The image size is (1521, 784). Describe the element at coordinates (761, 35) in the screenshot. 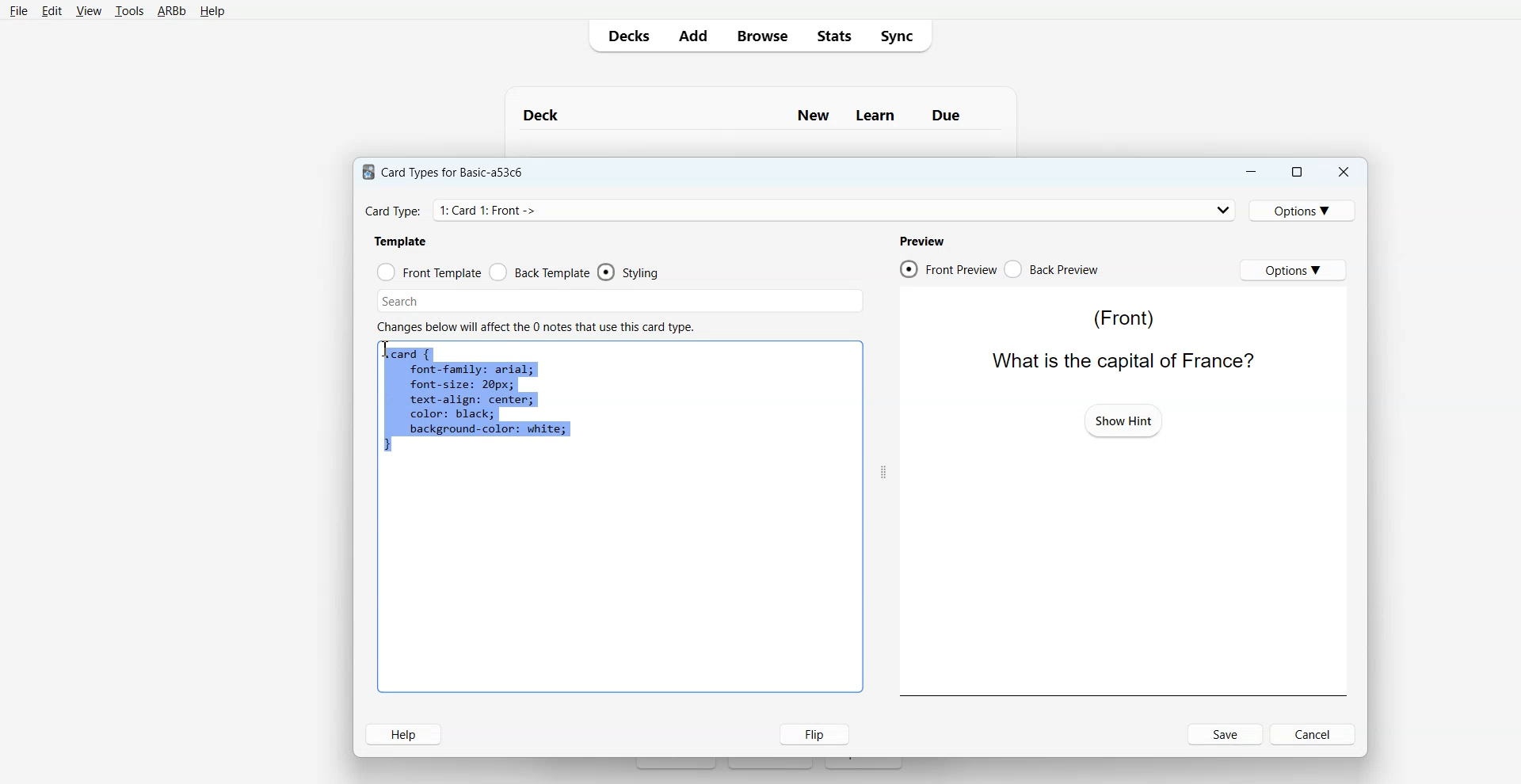

I see `Browse` at that location.